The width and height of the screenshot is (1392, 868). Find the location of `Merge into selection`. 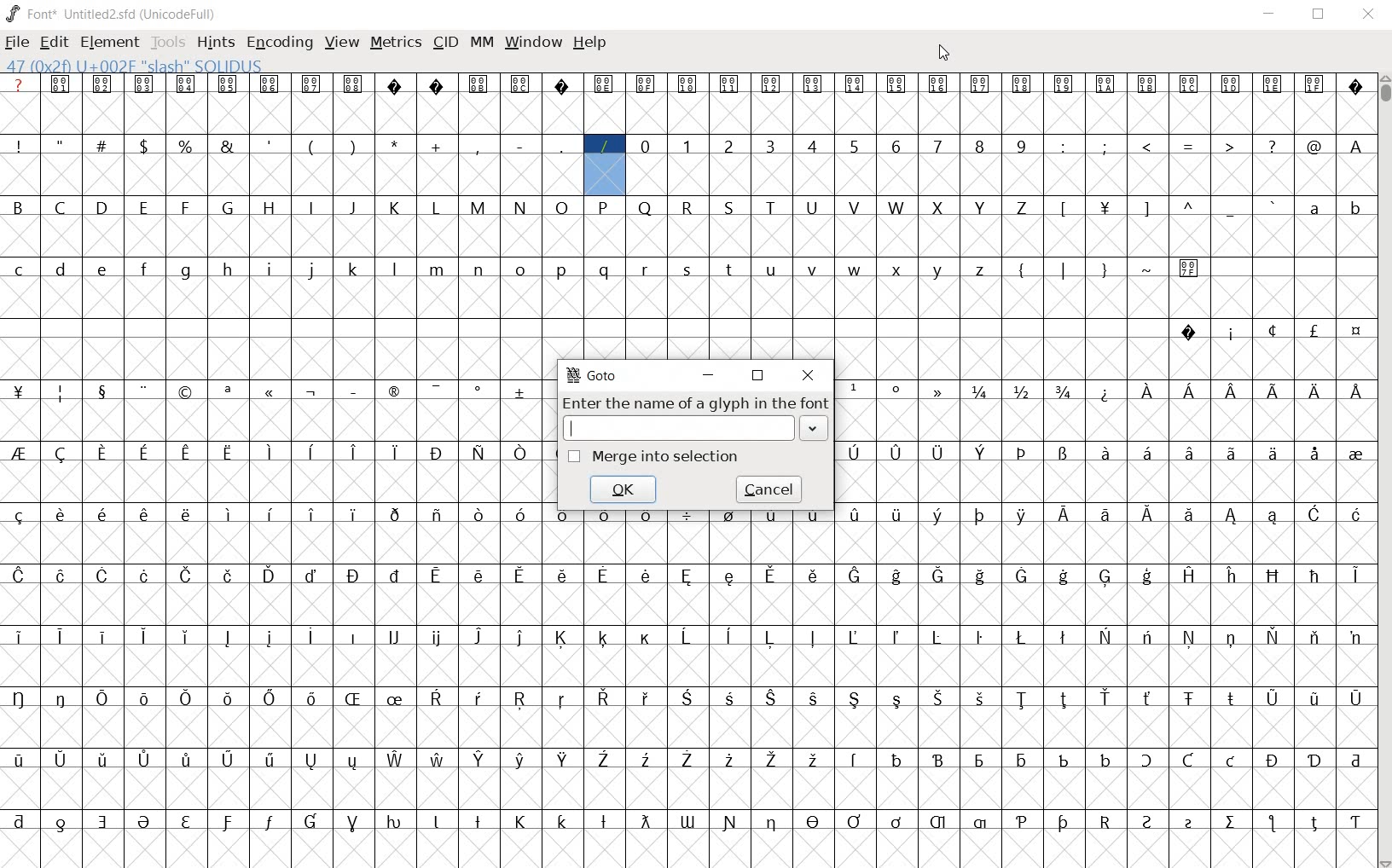

Merge into selection is located at coordinates (668, 457).